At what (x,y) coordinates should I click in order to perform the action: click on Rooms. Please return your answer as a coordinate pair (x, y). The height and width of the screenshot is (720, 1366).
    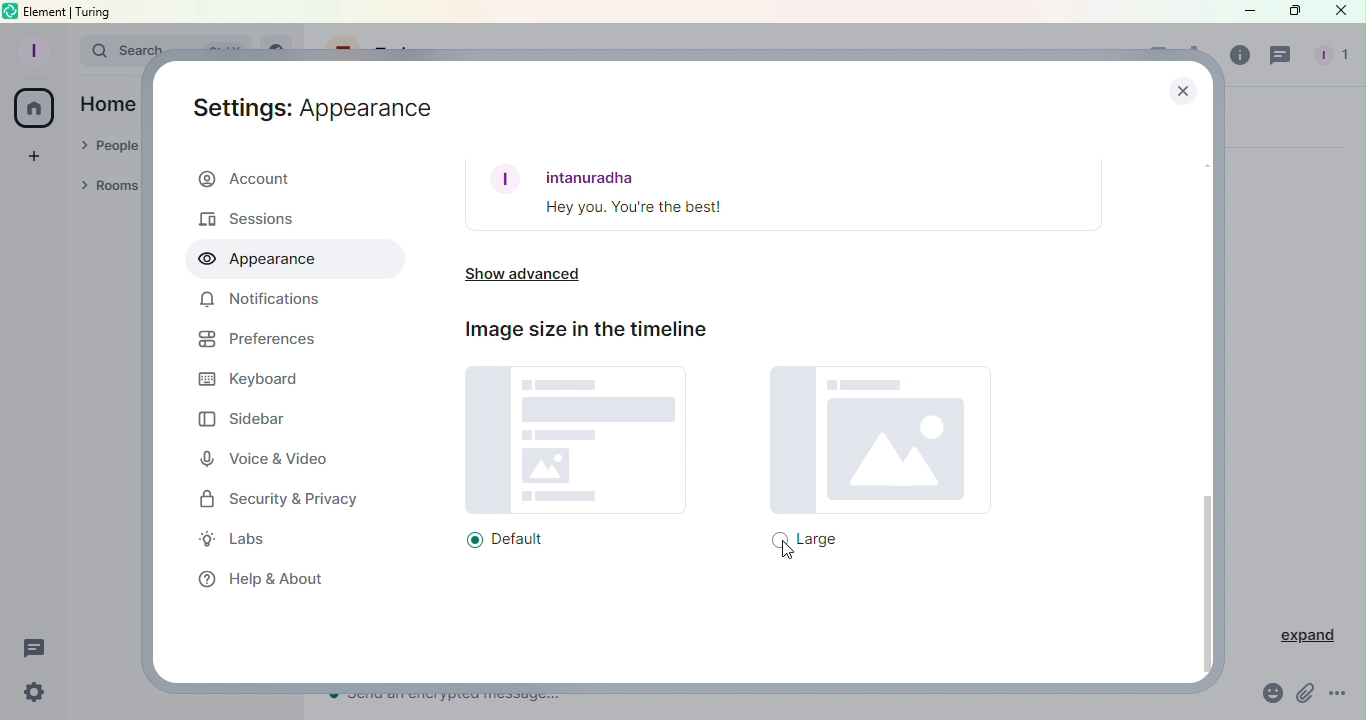
    Looking at the image, I should click on (112, 188).